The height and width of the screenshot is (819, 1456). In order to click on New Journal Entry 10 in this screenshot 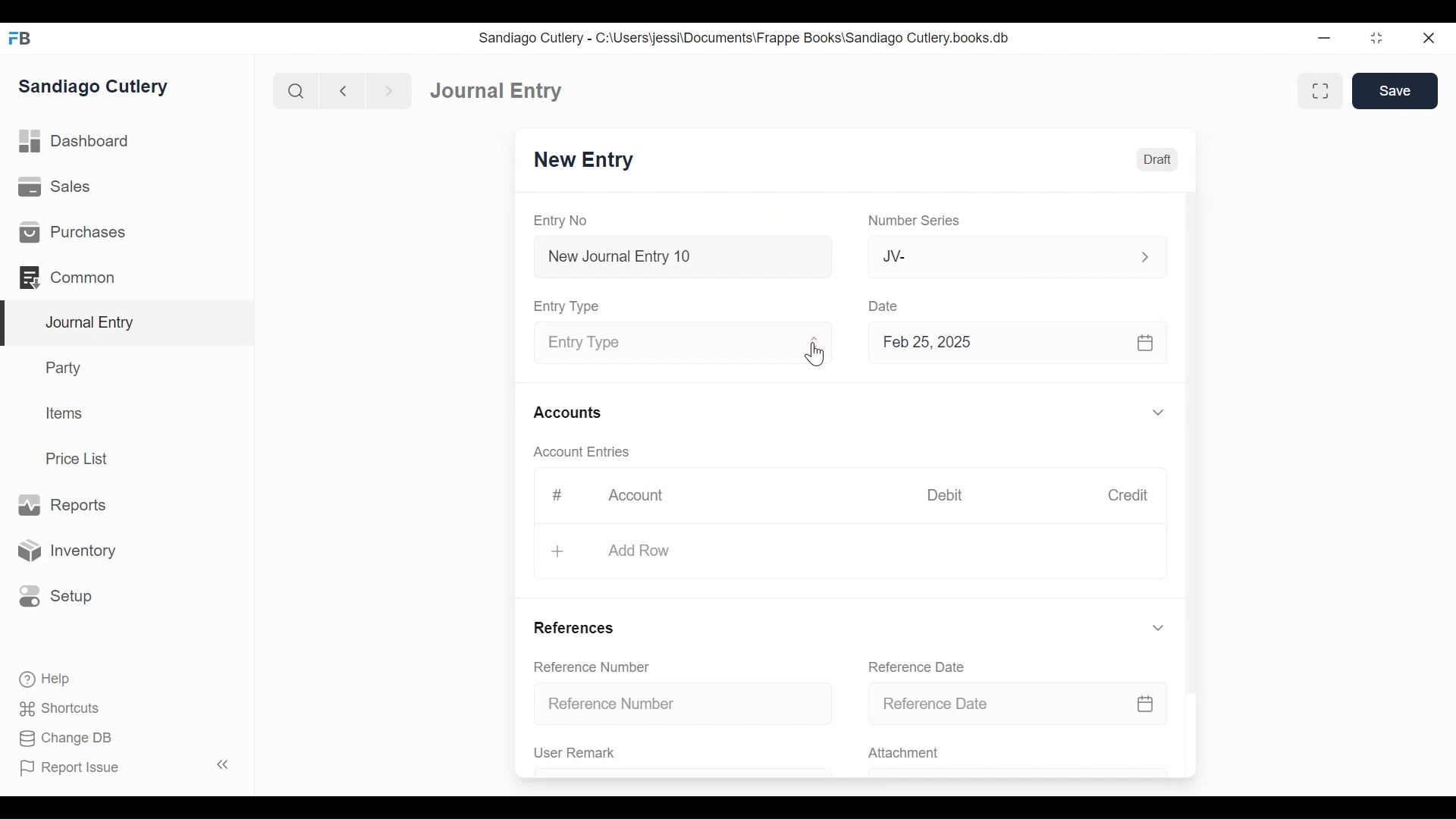, I will do `click(682, 256)`.